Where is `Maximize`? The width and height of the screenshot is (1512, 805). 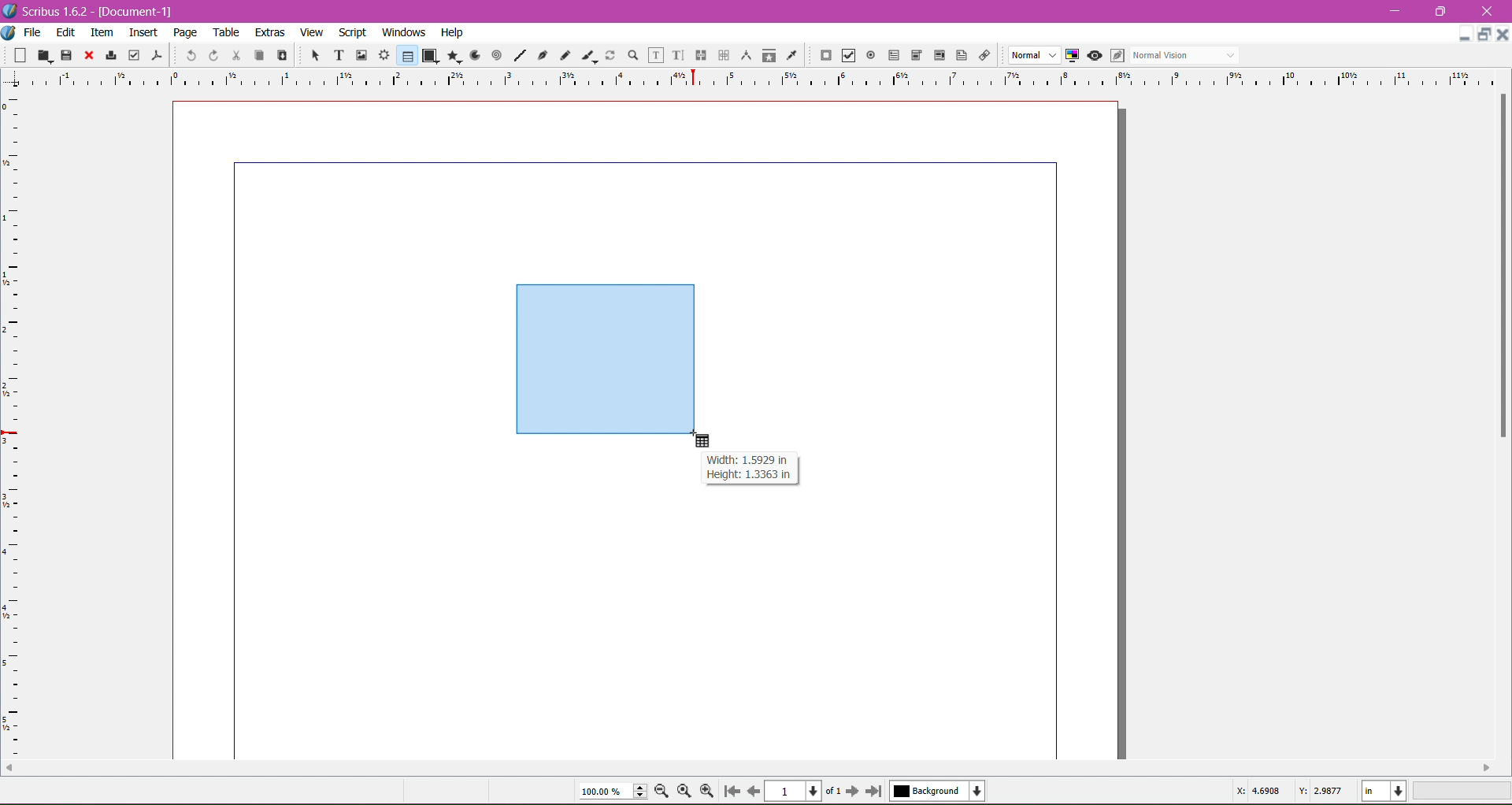 Maximize is located at coordinates (1485, 35).